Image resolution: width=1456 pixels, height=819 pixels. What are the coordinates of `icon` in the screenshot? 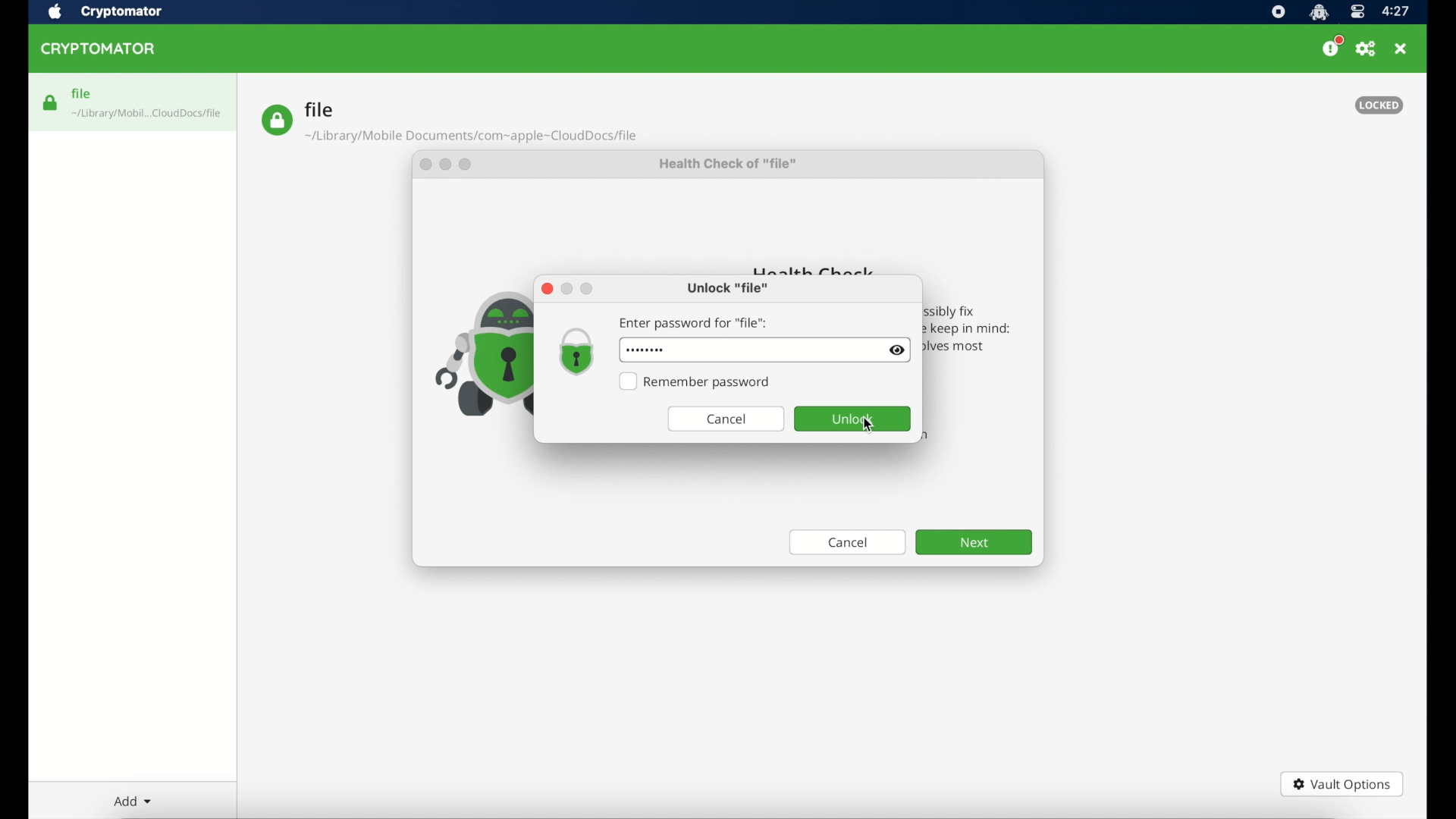 It's located at (479, 354).